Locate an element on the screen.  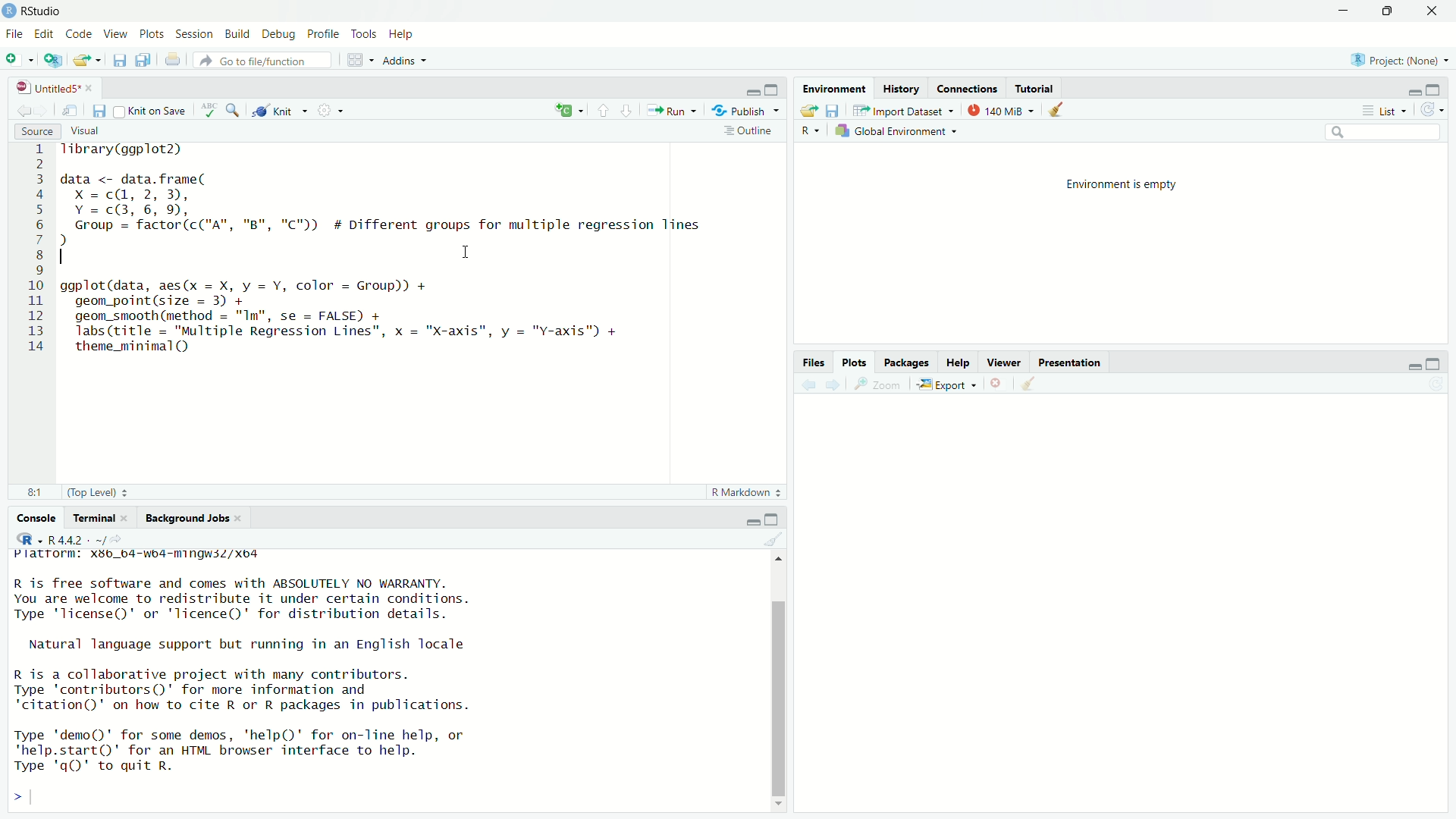
forward is located at coordinates (836, 384).